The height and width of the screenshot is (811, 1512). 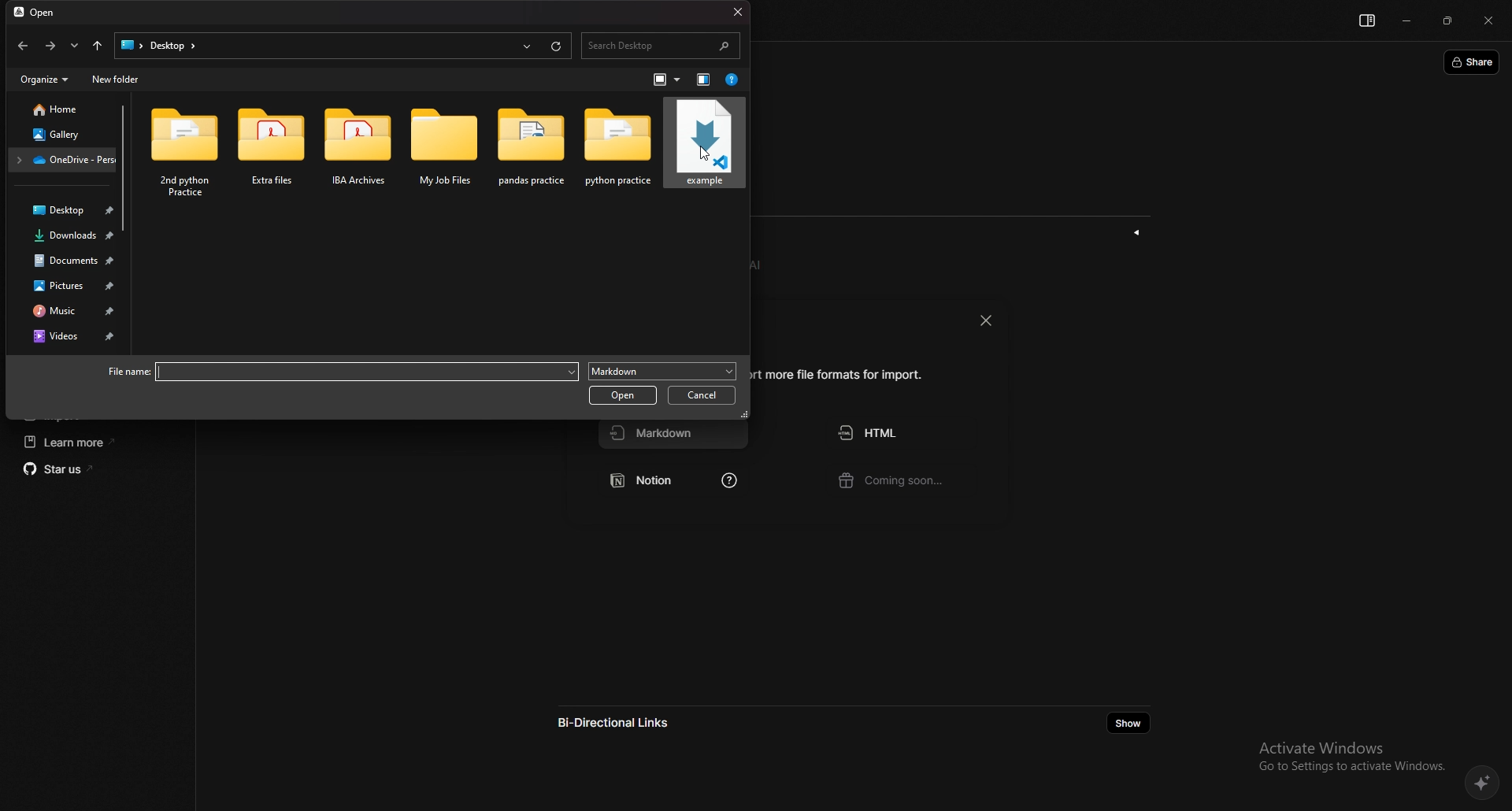 What do you see at coordinates (731, 80) in the screenshot?
I see `help` at bounding box center [731, 80].